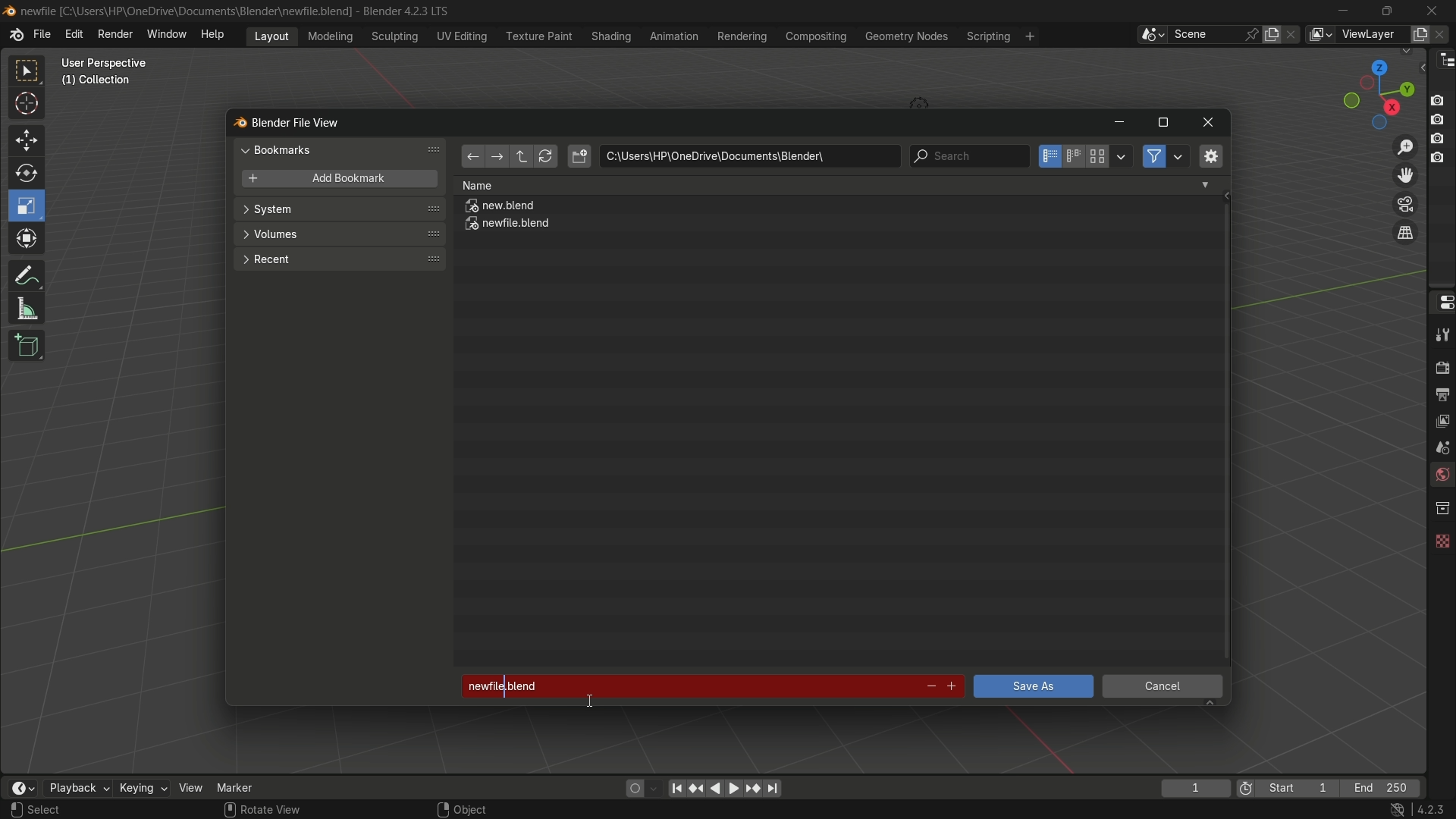 The width and height of the screenshot is (1456, 819). Describe the element at coordinates (1073, 156) in the screenshot. I see `horizontal list` at that location.